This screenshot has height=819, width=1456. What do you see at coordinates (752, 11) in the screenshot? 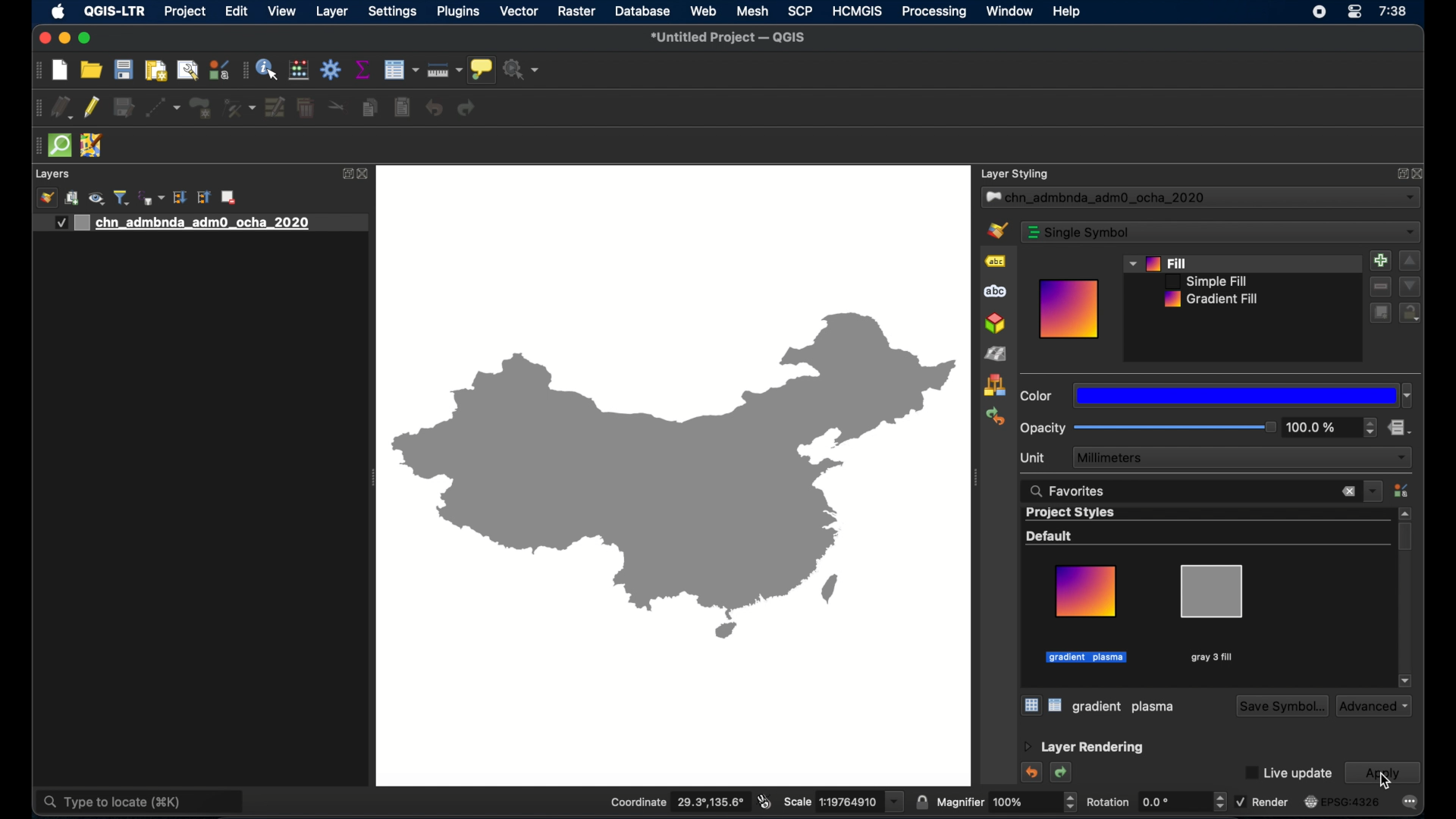
I see `mesh` at bounding box center [752, 11].